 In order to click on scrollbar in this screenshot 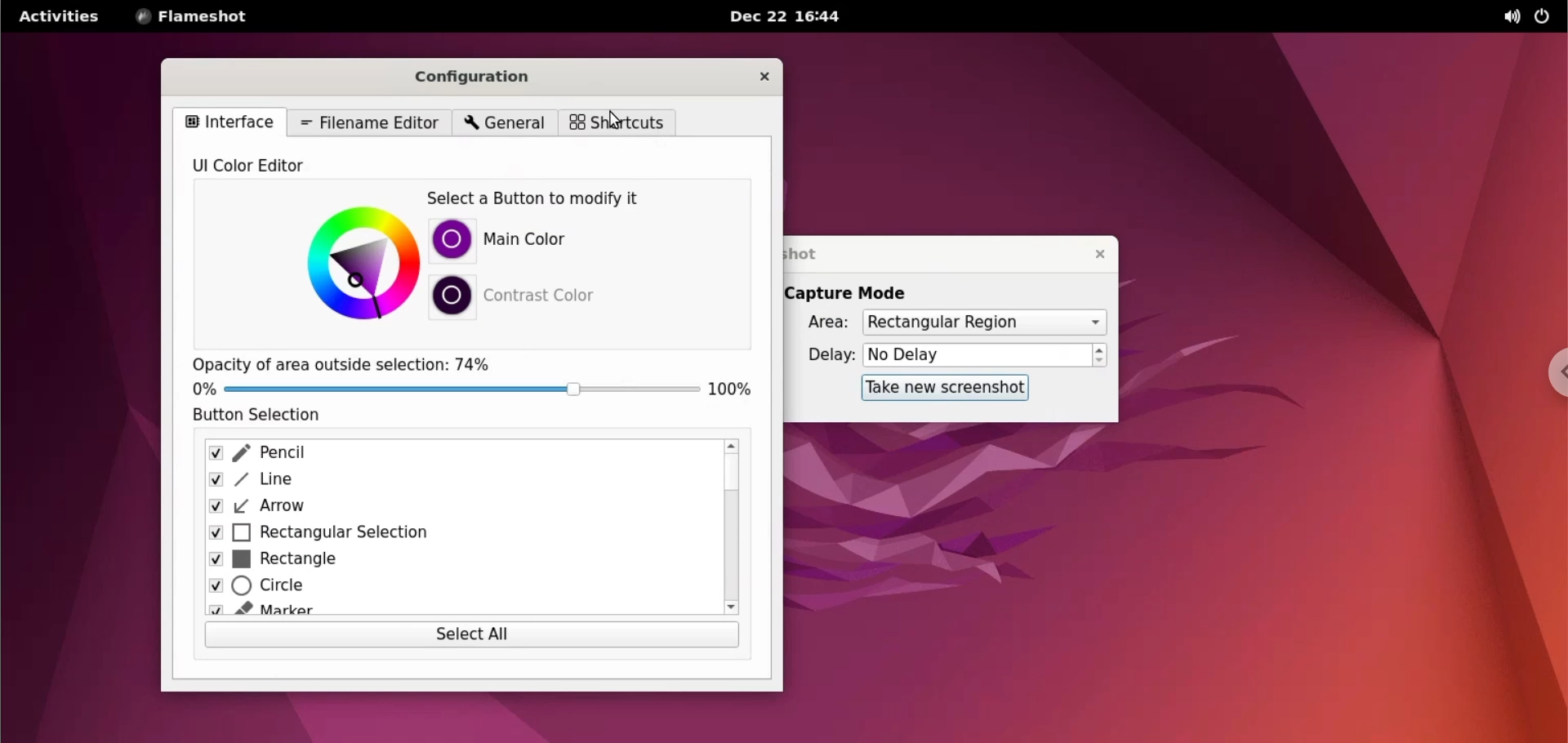, I will do `click(729, 527)`.